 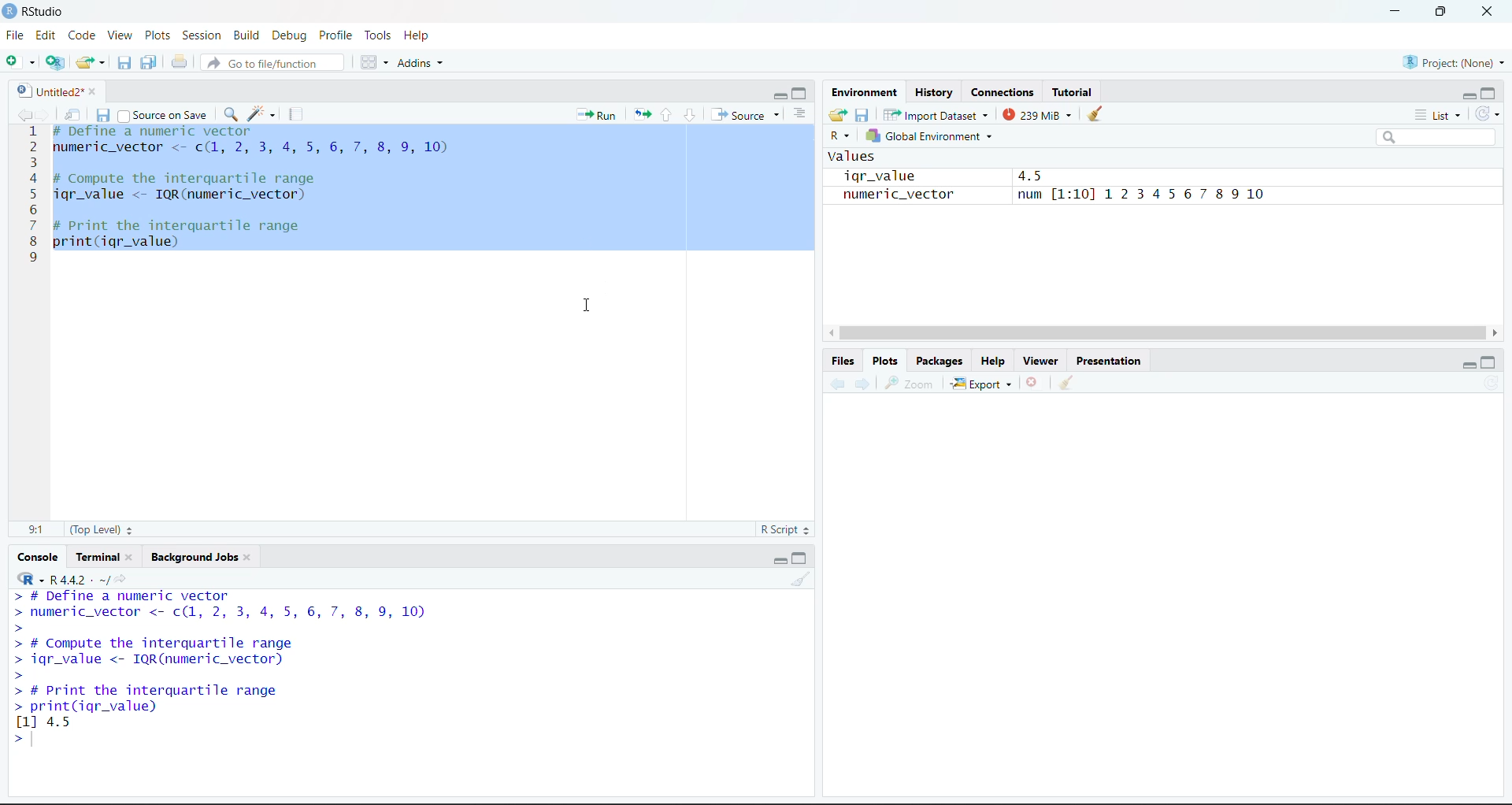 What do you see at coordinates (50, 35) in the screenshot?
I see `Edit` at bounding box center [50, 35].